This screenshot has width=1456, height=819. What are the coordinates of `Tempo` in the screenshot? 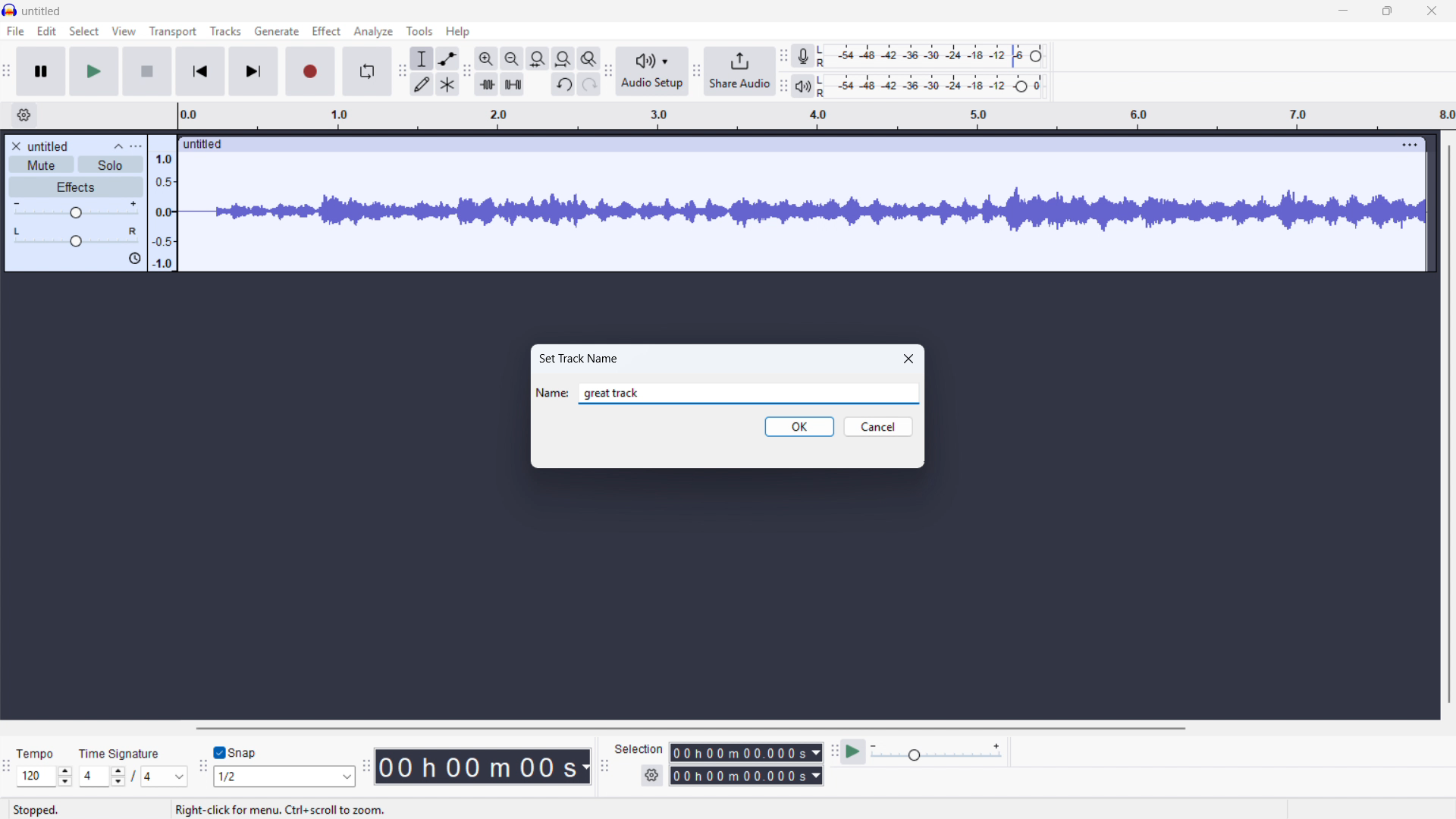 It's located at (39, 754).